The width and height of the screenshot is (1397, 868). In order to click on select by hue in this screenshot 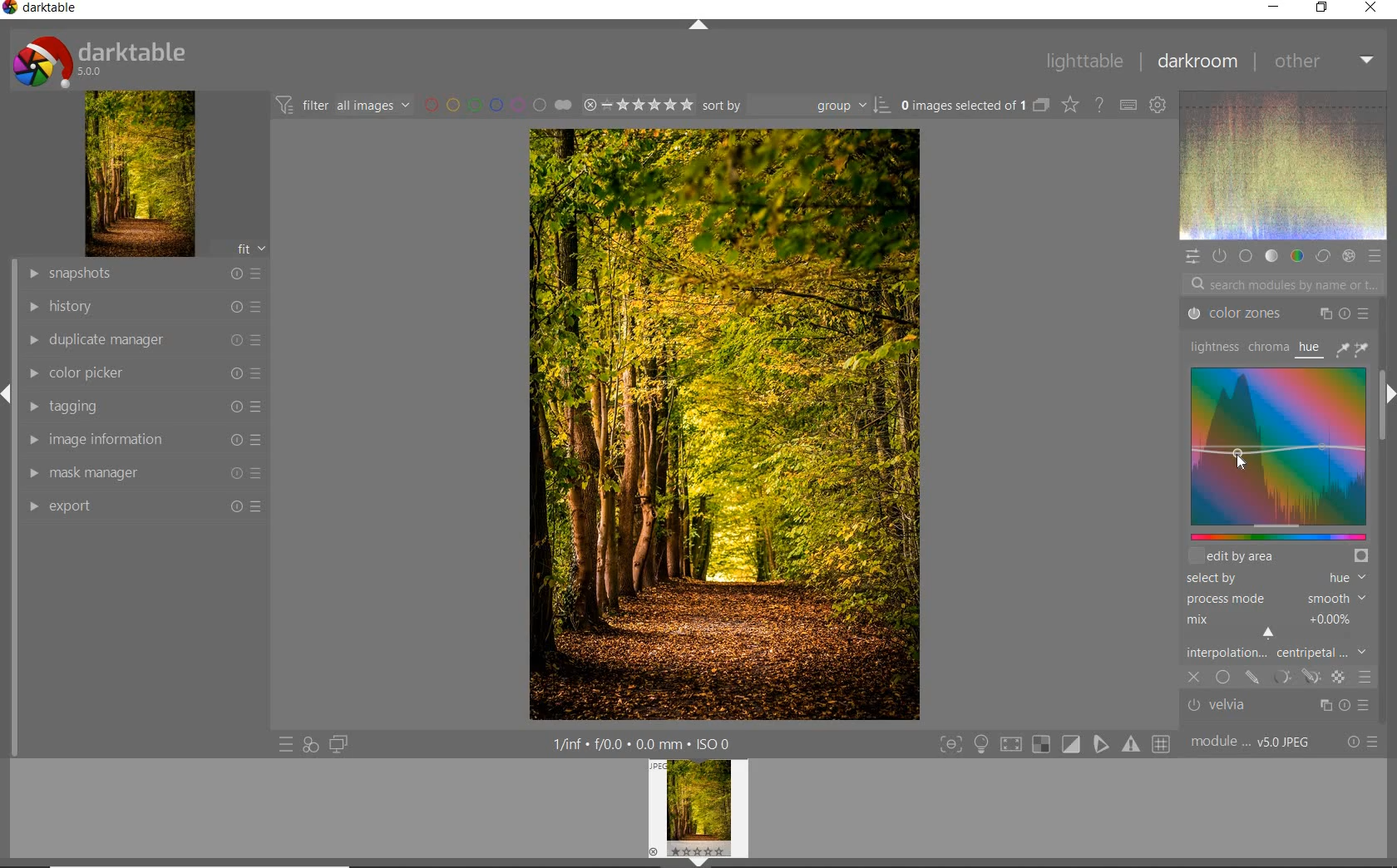, I will do `click(1274, 577)`.